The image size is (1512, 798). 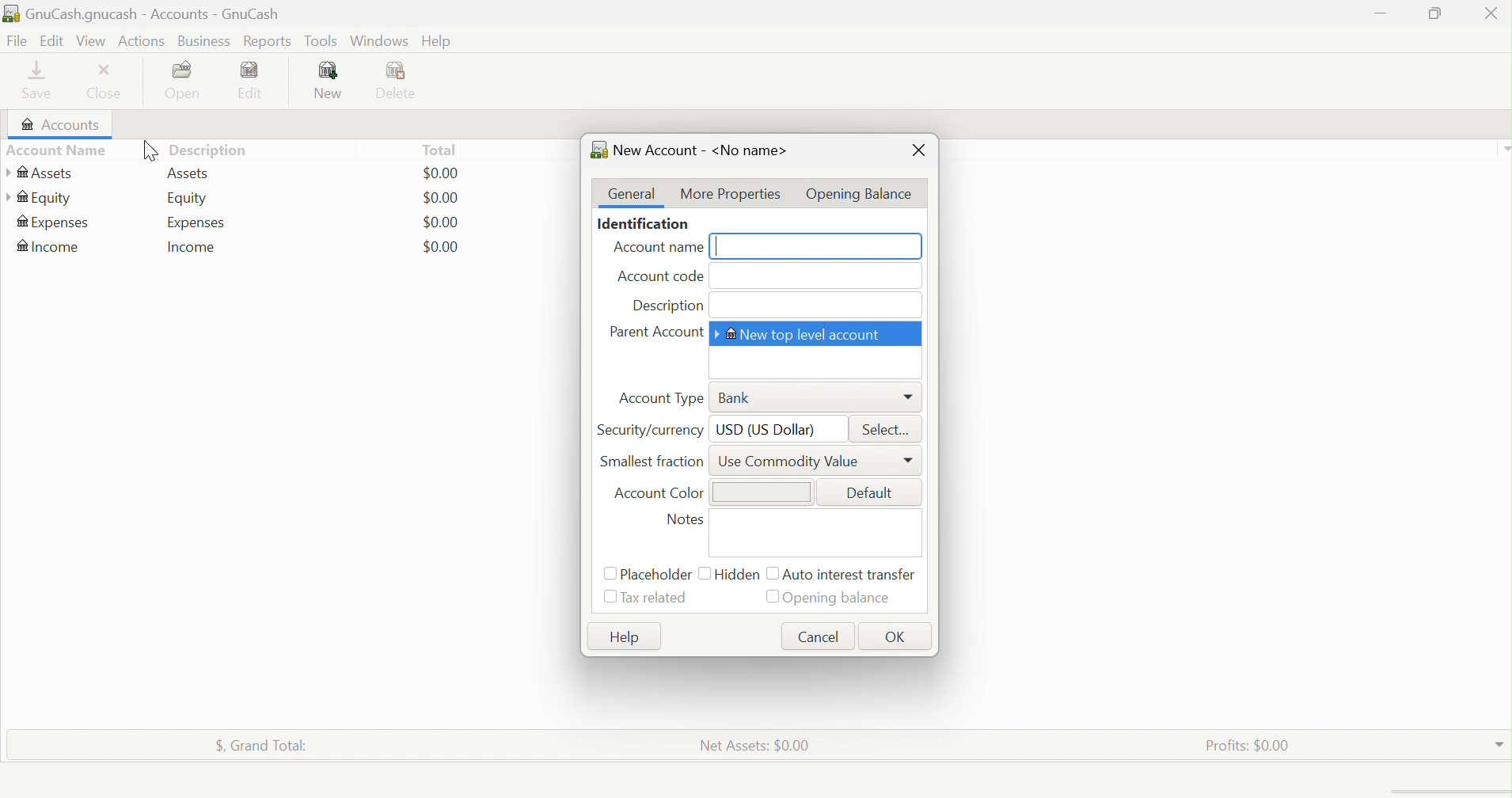 I want to click on Assets, so click(x=40, y=173).